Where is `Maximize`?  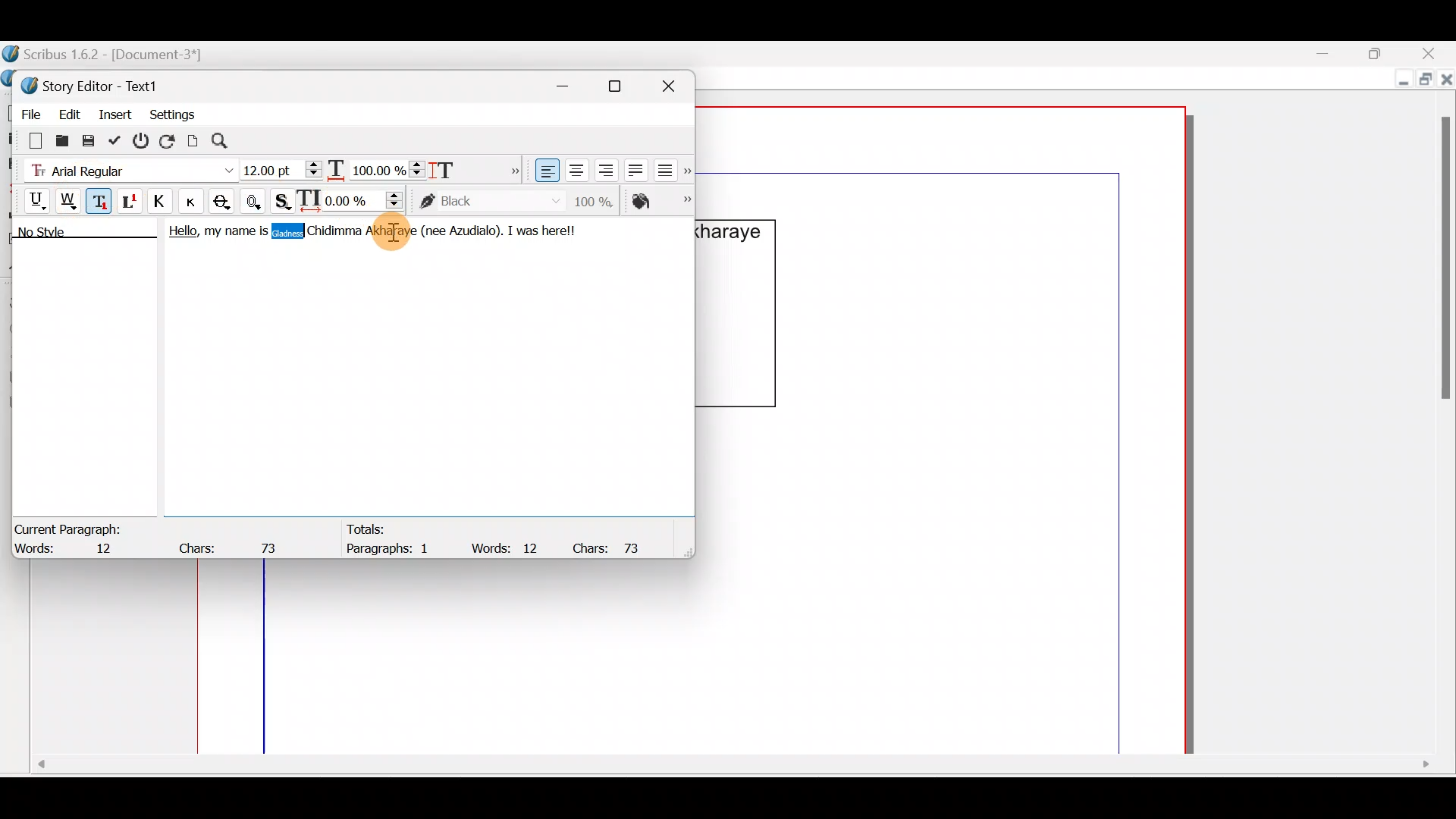
Maximize is located at coordinates (624, 86).